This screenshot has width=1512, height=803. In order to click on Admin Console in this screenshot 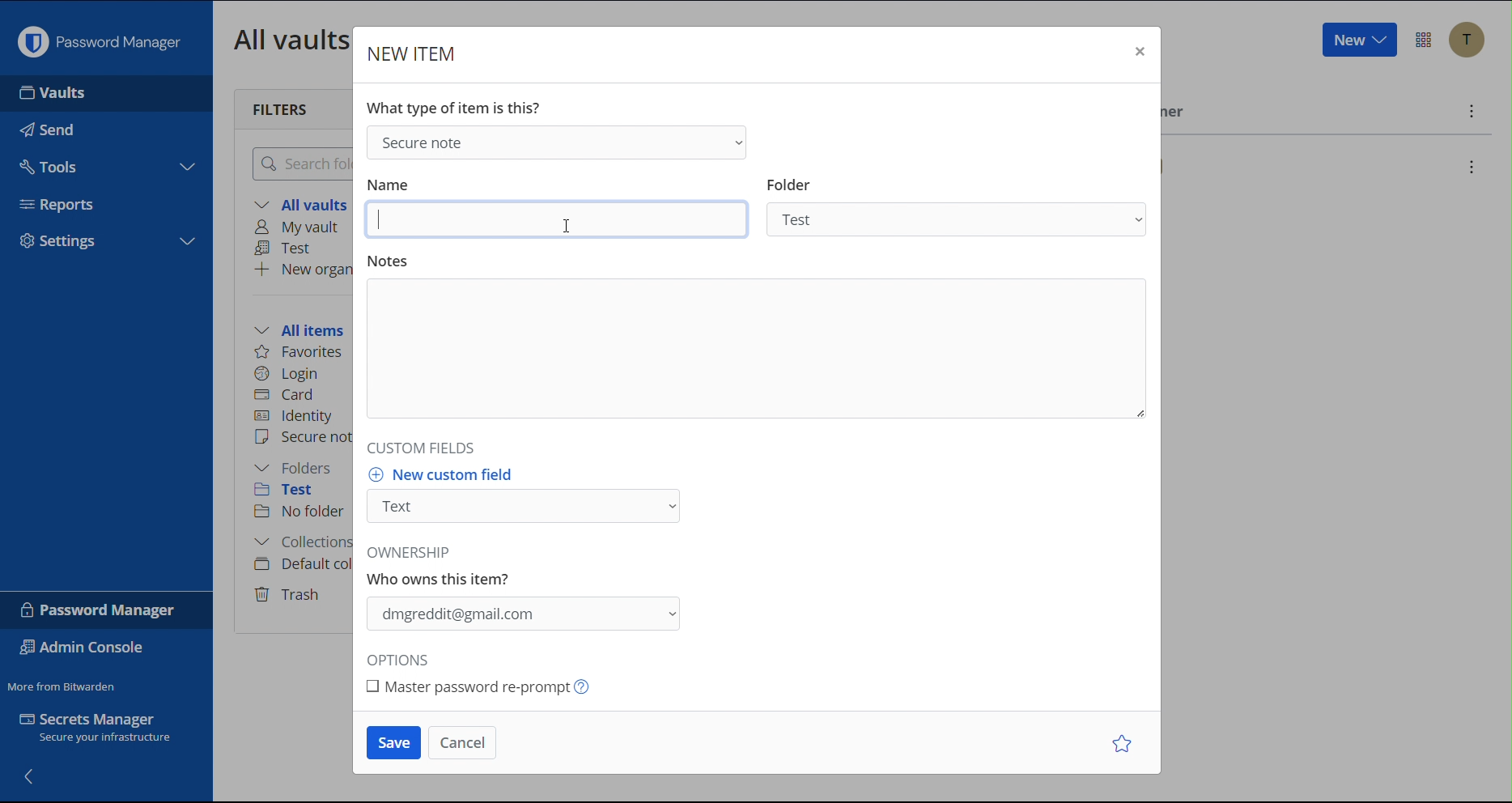, I will do `click(86, 649)`.